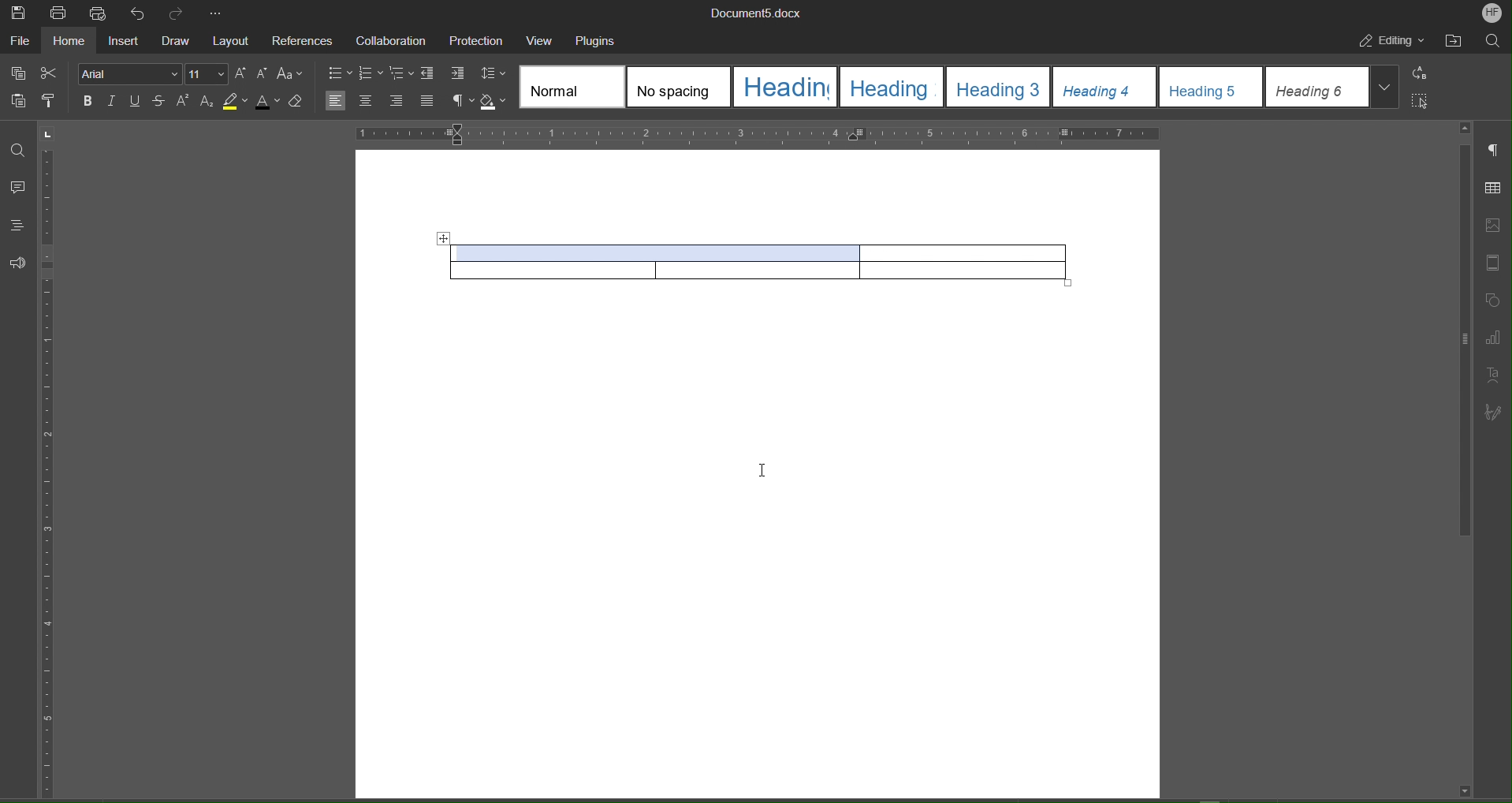  Describe the element at coordinates (1105, 87) in the screenshot. I see `heading 4` at that location.